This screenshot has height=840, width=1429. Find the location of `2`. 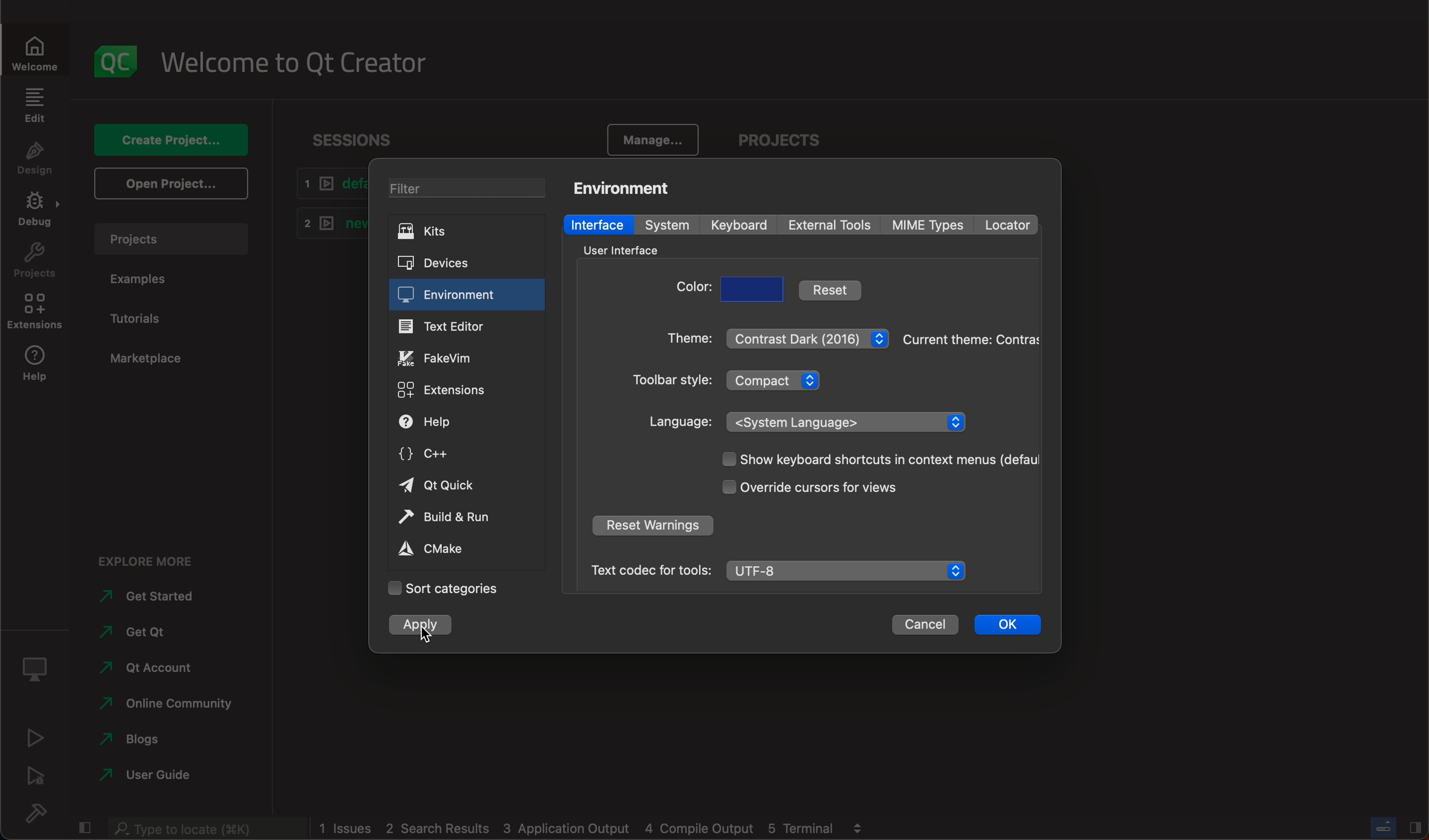

2 is located at coordinates (327, 222).